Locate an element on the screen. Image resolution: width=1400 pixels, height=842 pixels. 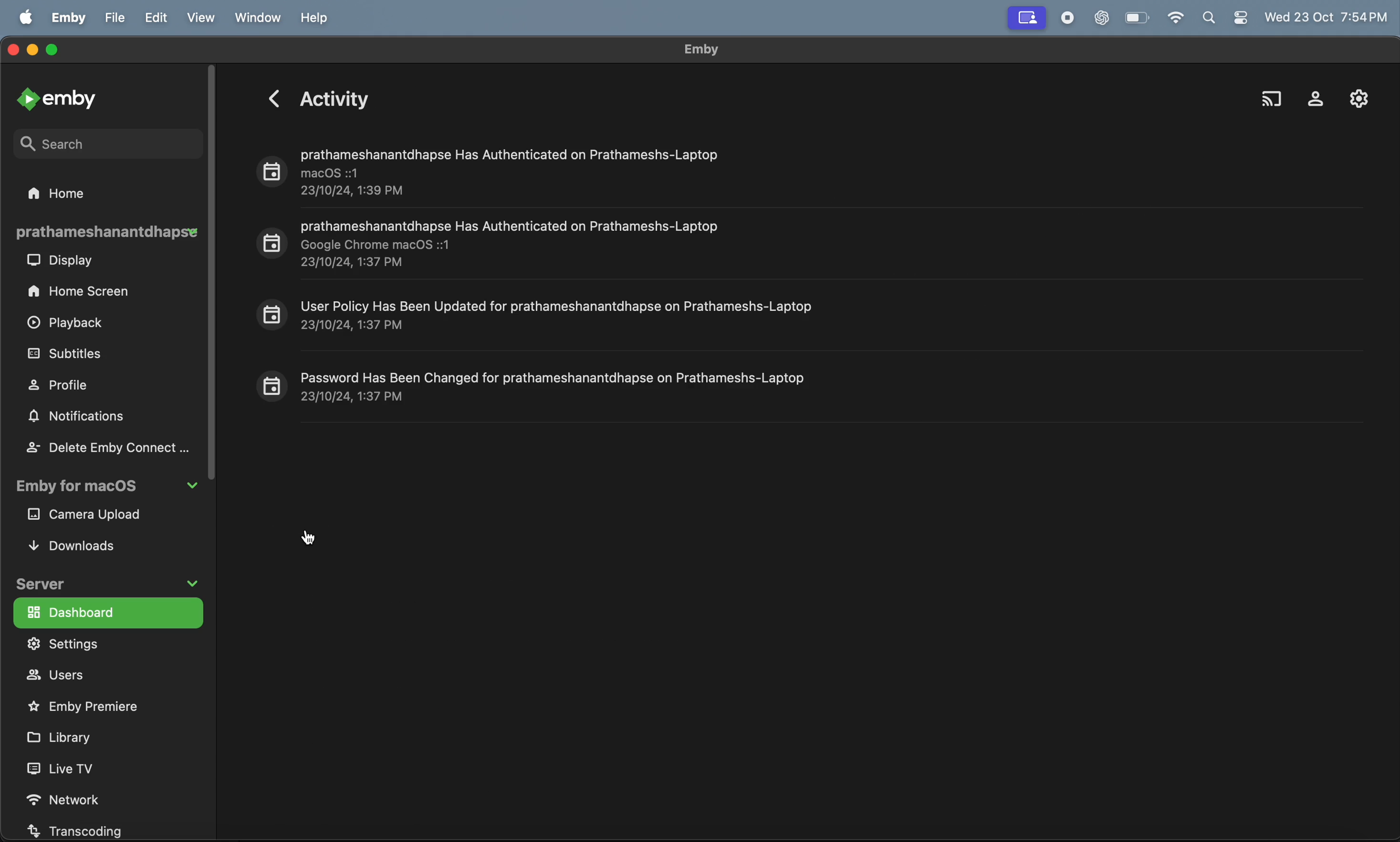
maximize is located at coordinates (54, 50).